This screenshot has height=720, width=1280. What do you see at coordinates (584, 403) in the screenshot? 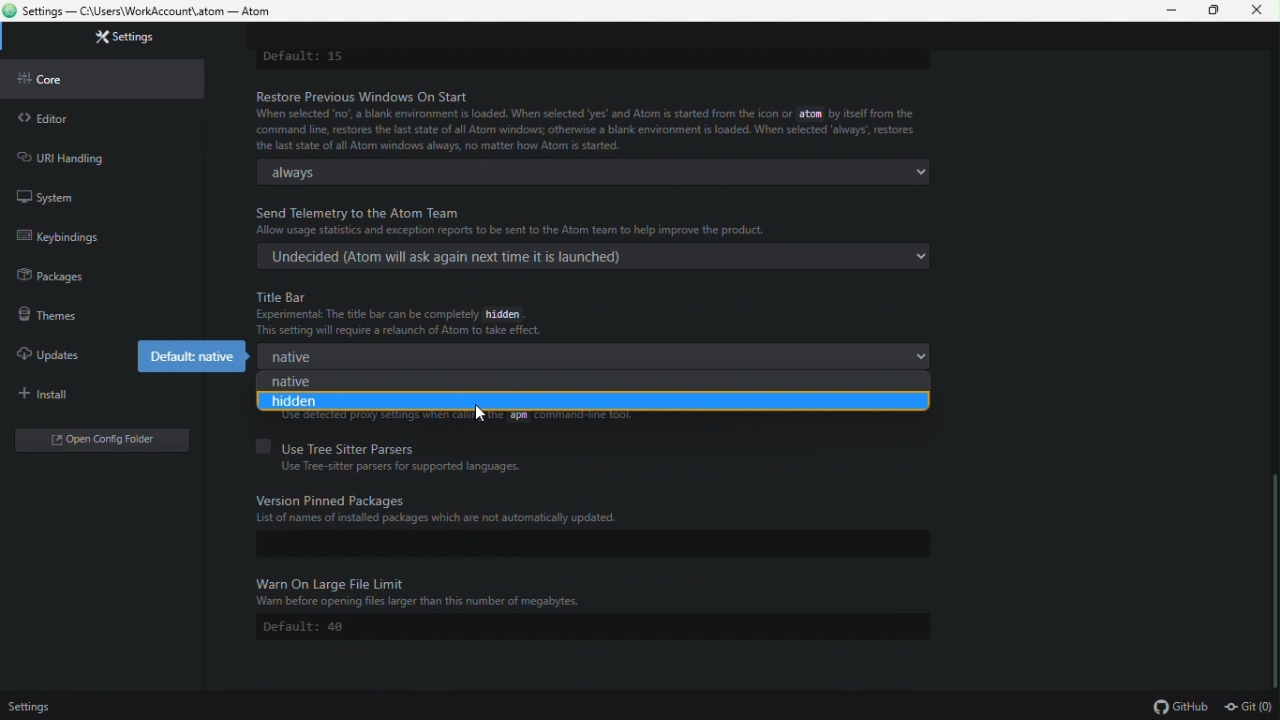
I see `hidden ` at bounding box center [584, 403].